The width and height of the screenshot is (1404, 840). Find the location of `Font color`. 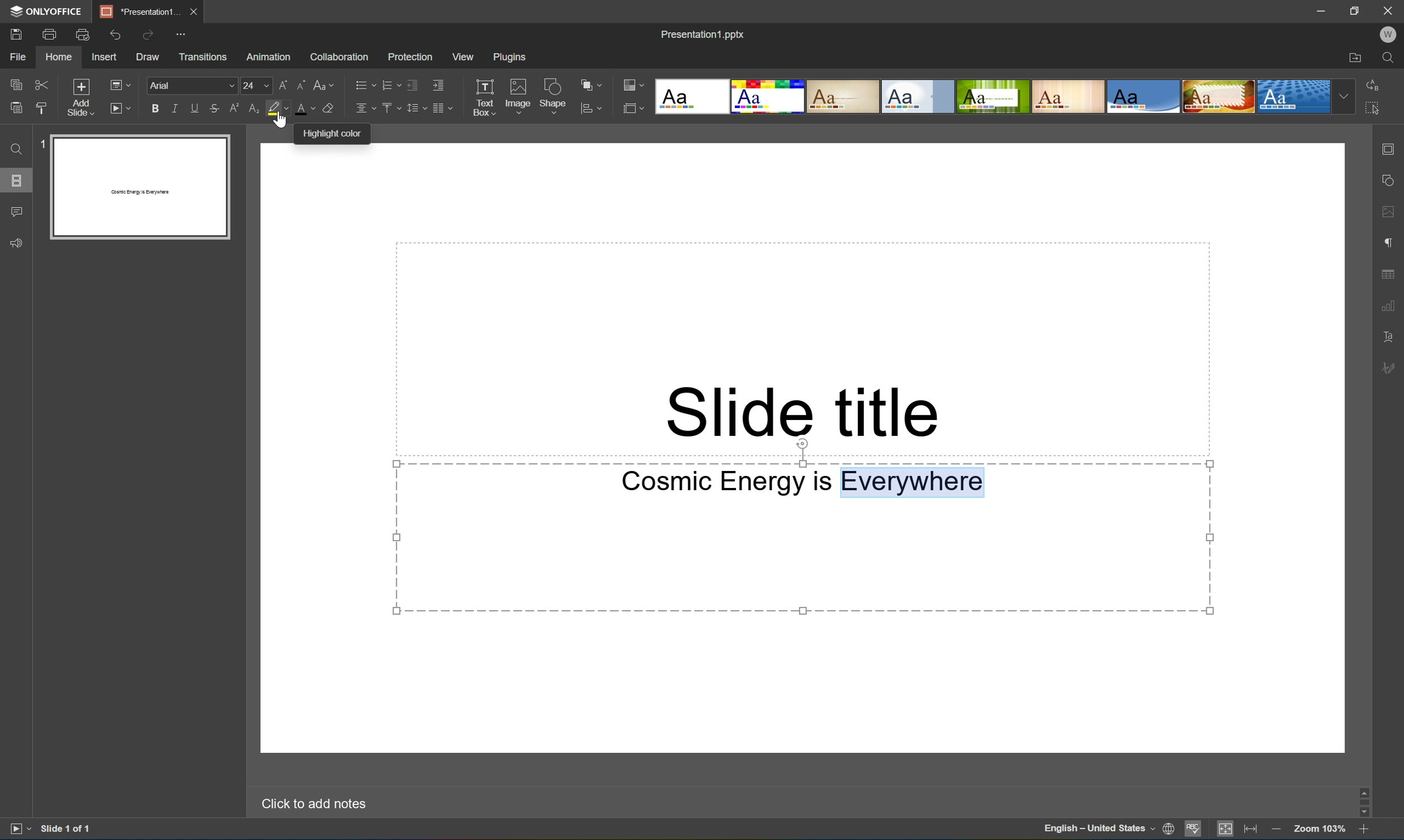

Font color is located at coordinates (307, 106).